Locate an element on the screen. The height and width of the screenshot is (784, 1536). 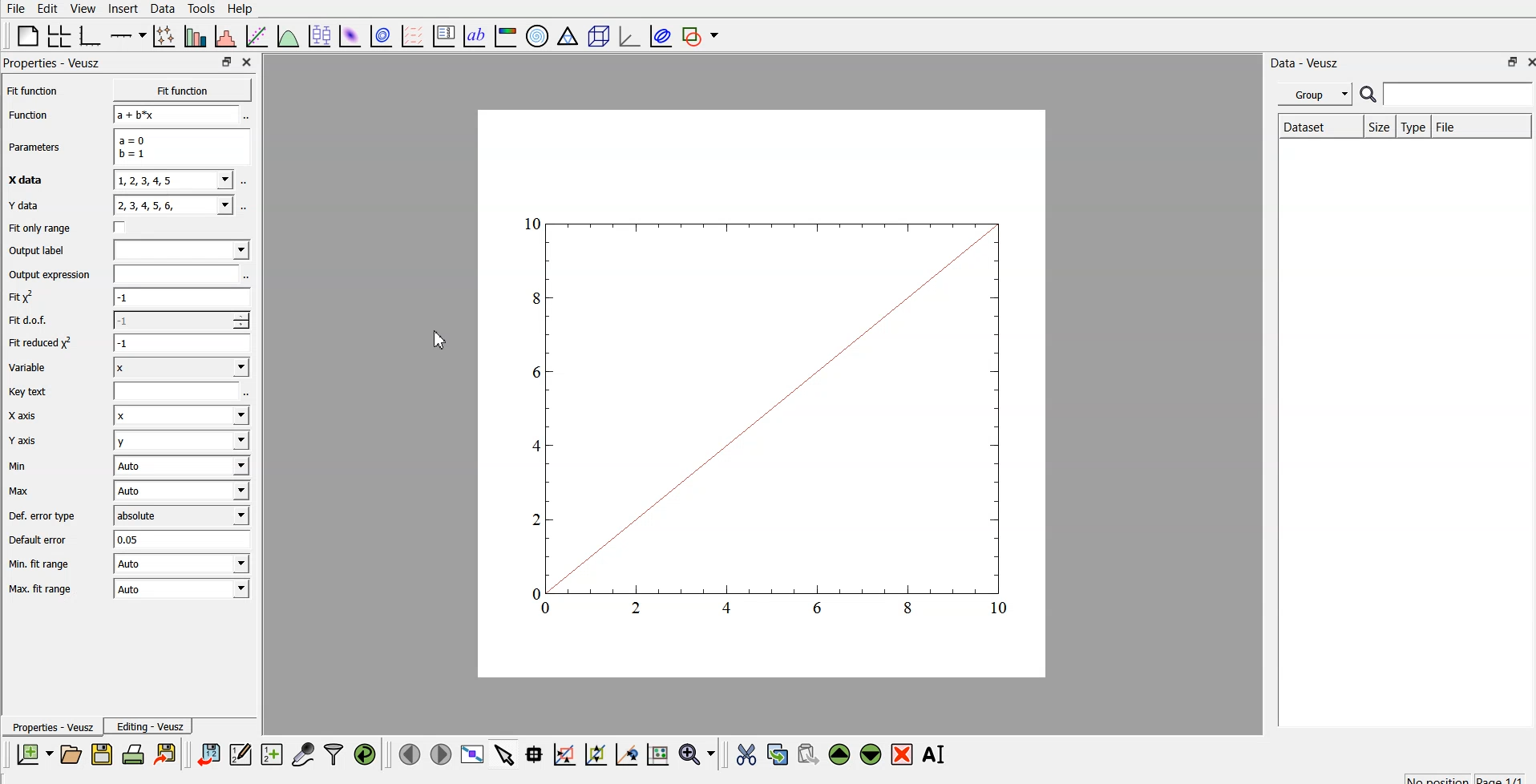
Fit dof. is located at coordinates (40, 321).